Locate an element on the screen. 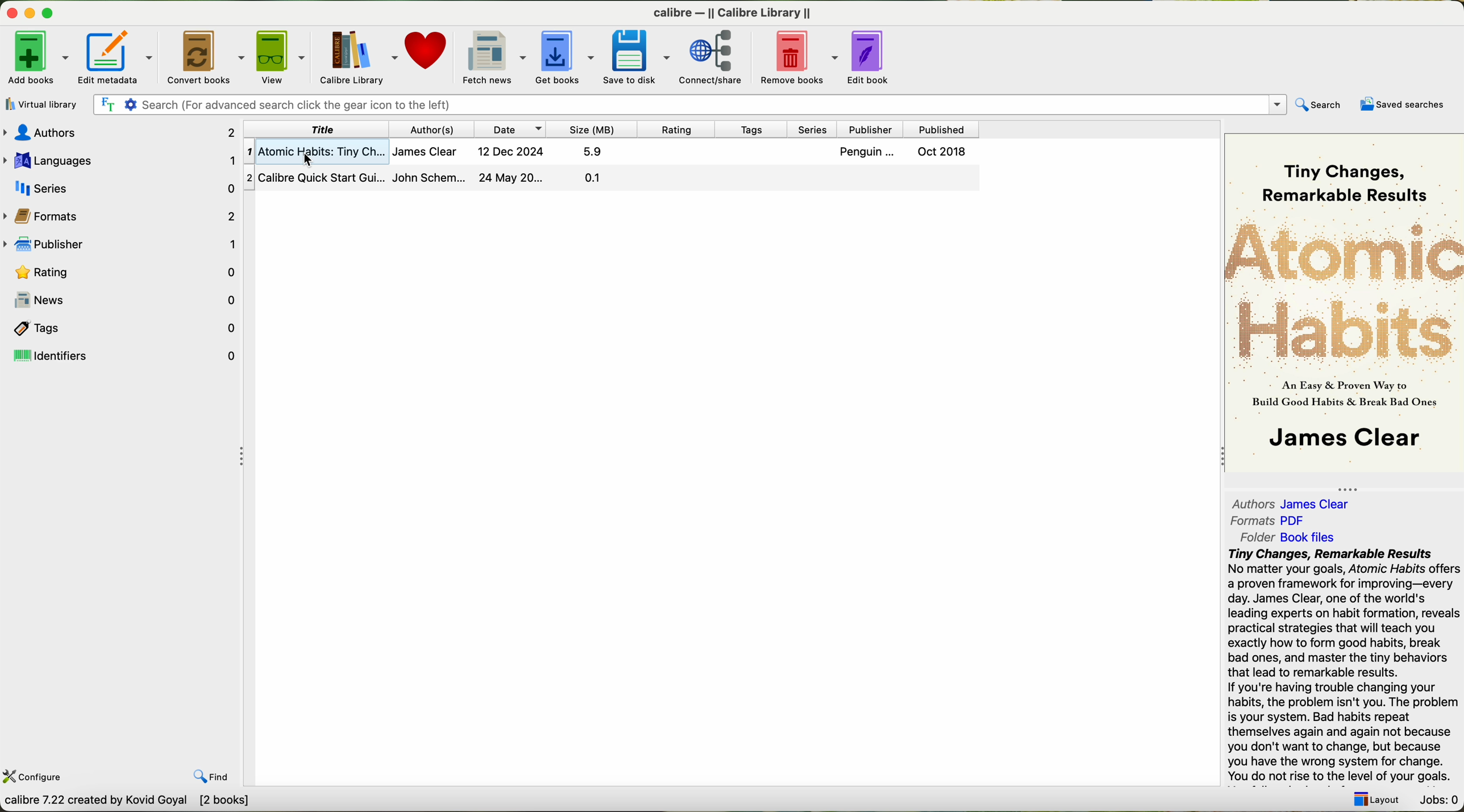 Image resolution: width=1464 pixels, height=812 pixels. save to disk is located at coordinates (638, 57).